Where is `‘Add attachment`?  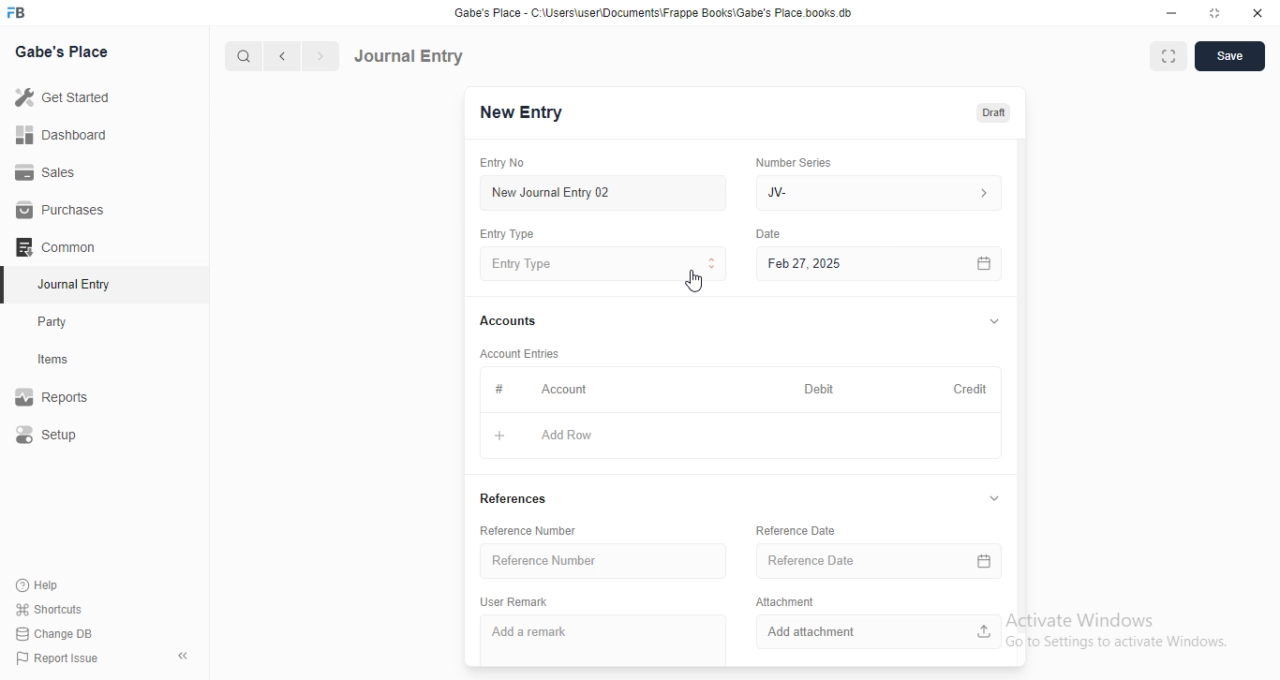
‘Add attachment is located at coordinates (877, 632).